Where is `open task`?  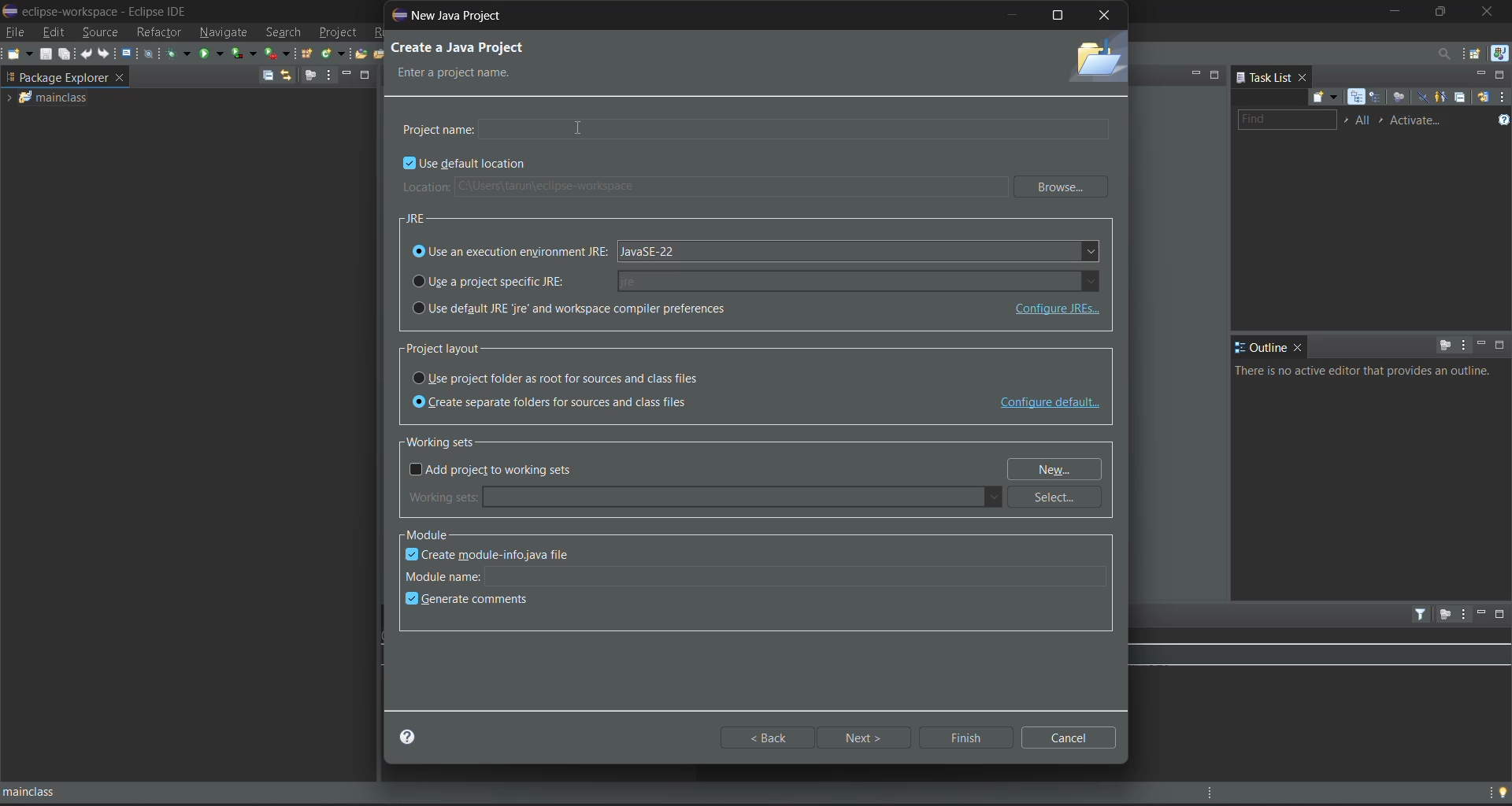
open task is located at coordinates (384, 52).